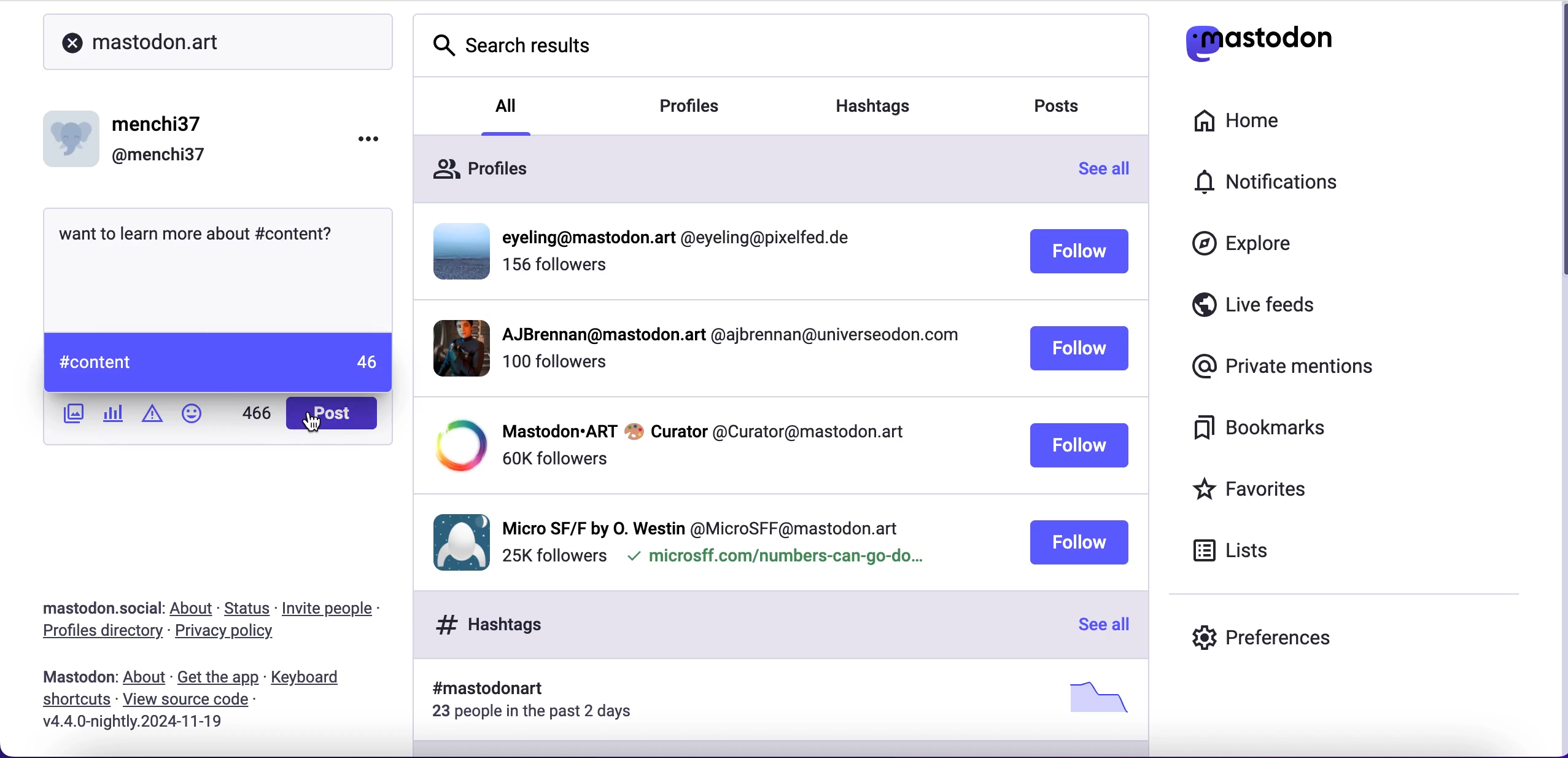 This screenshot has height=758, width=1568. I want to click on hashtags, so click(889, 101).